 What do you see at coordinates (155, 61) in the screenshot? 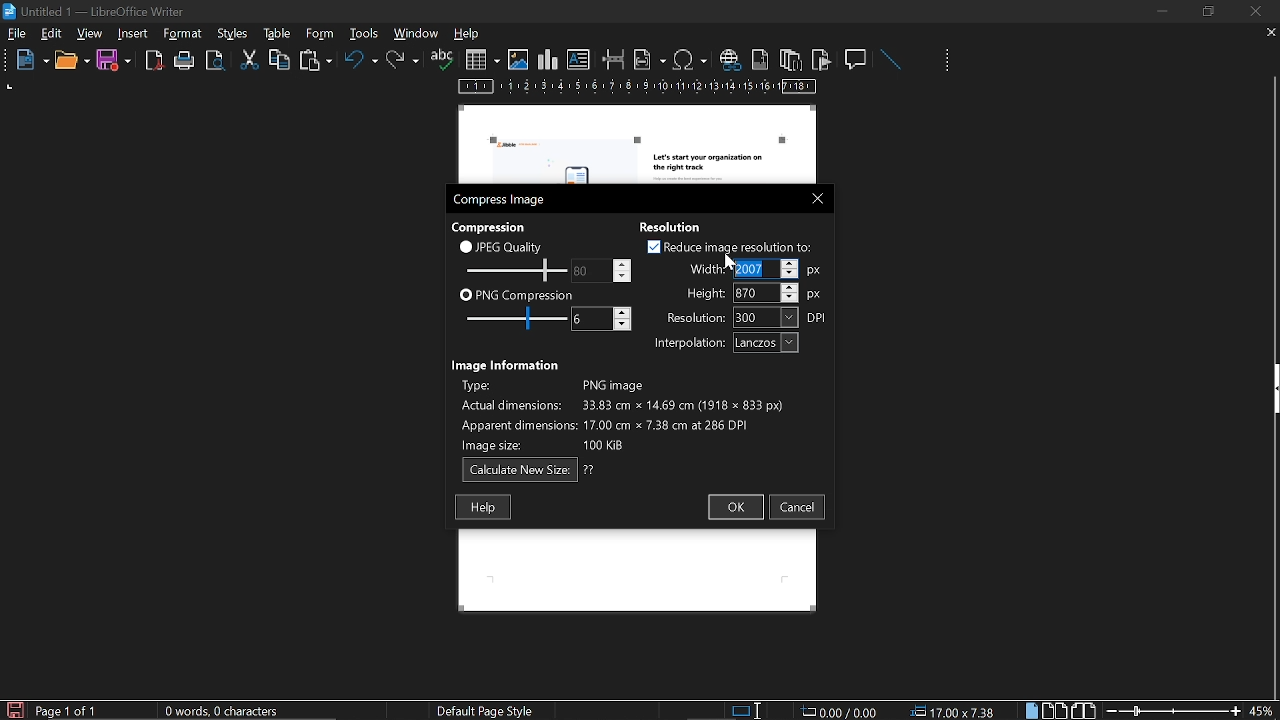
I see `export as pdf` at bounding box center [155, 61].